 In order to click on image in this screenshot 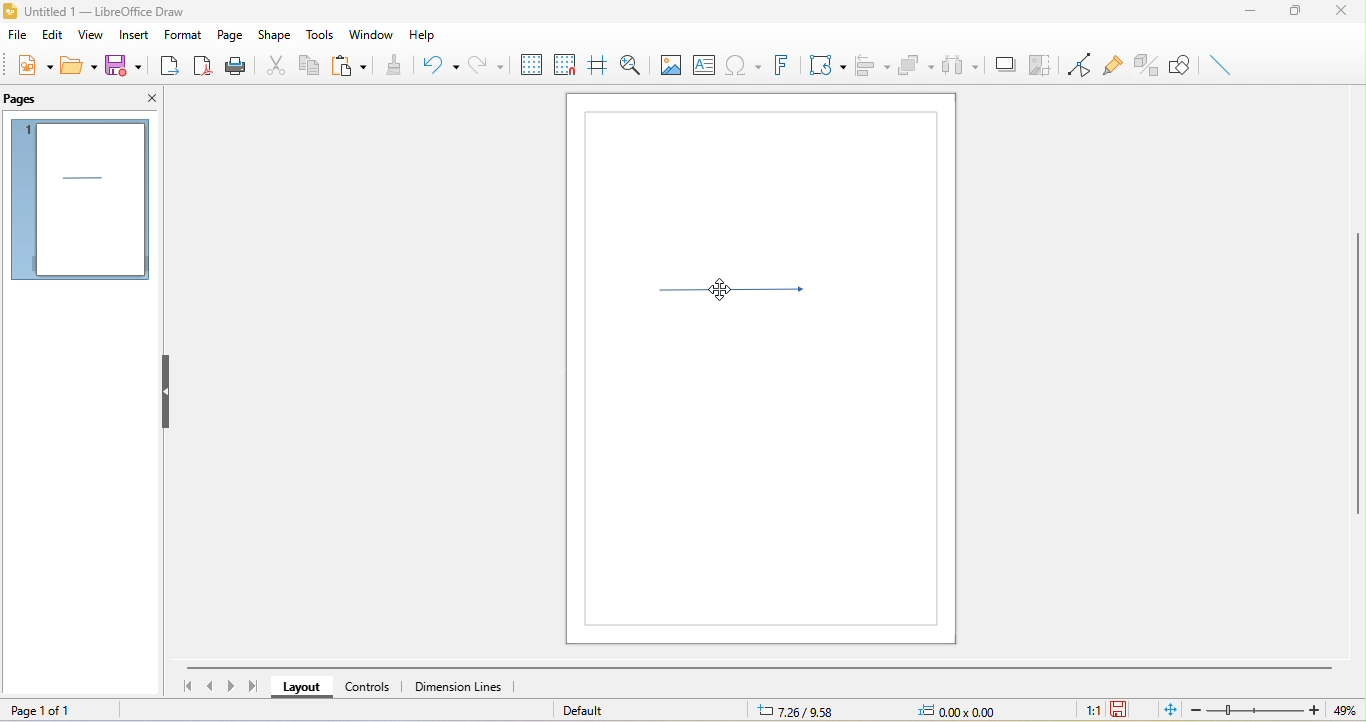, I will do `click(669, 63)`.